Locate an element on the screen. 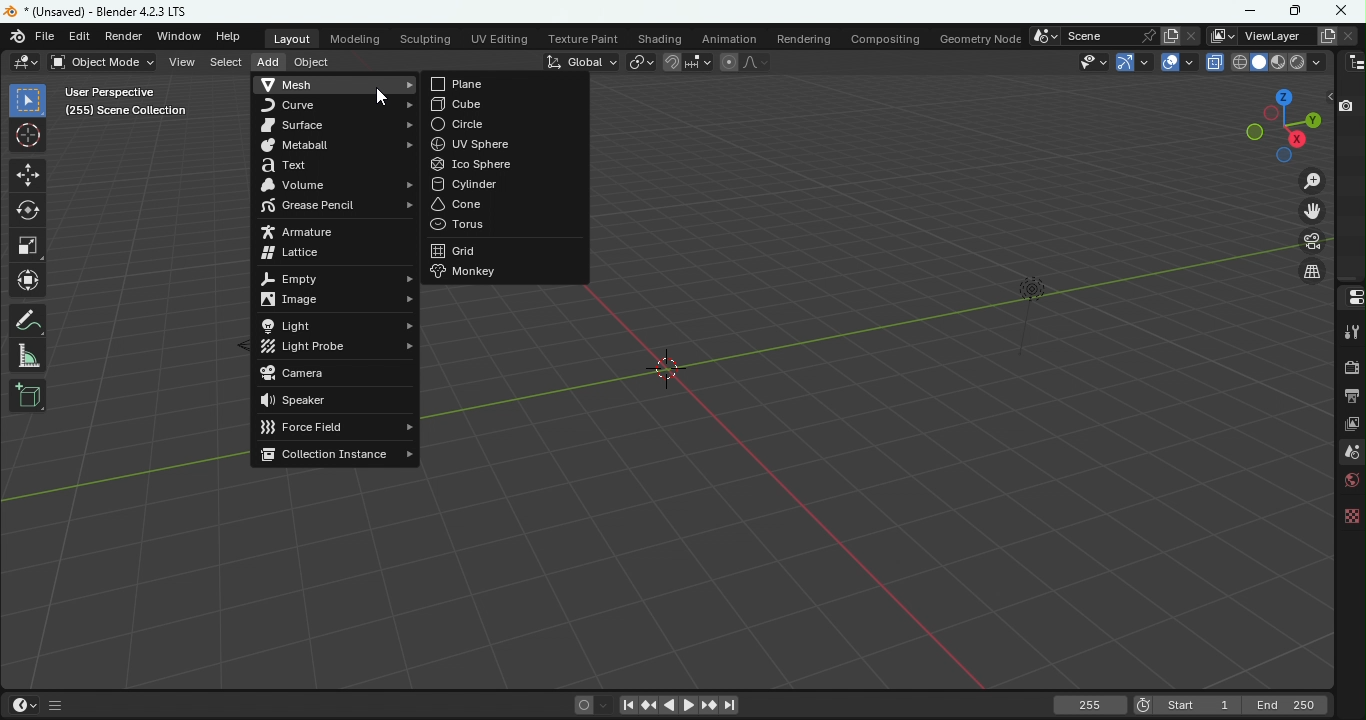 This screenshot has width=1366, height=720. Jump to first/last frame in frame range is located at coordinates (731, 706).